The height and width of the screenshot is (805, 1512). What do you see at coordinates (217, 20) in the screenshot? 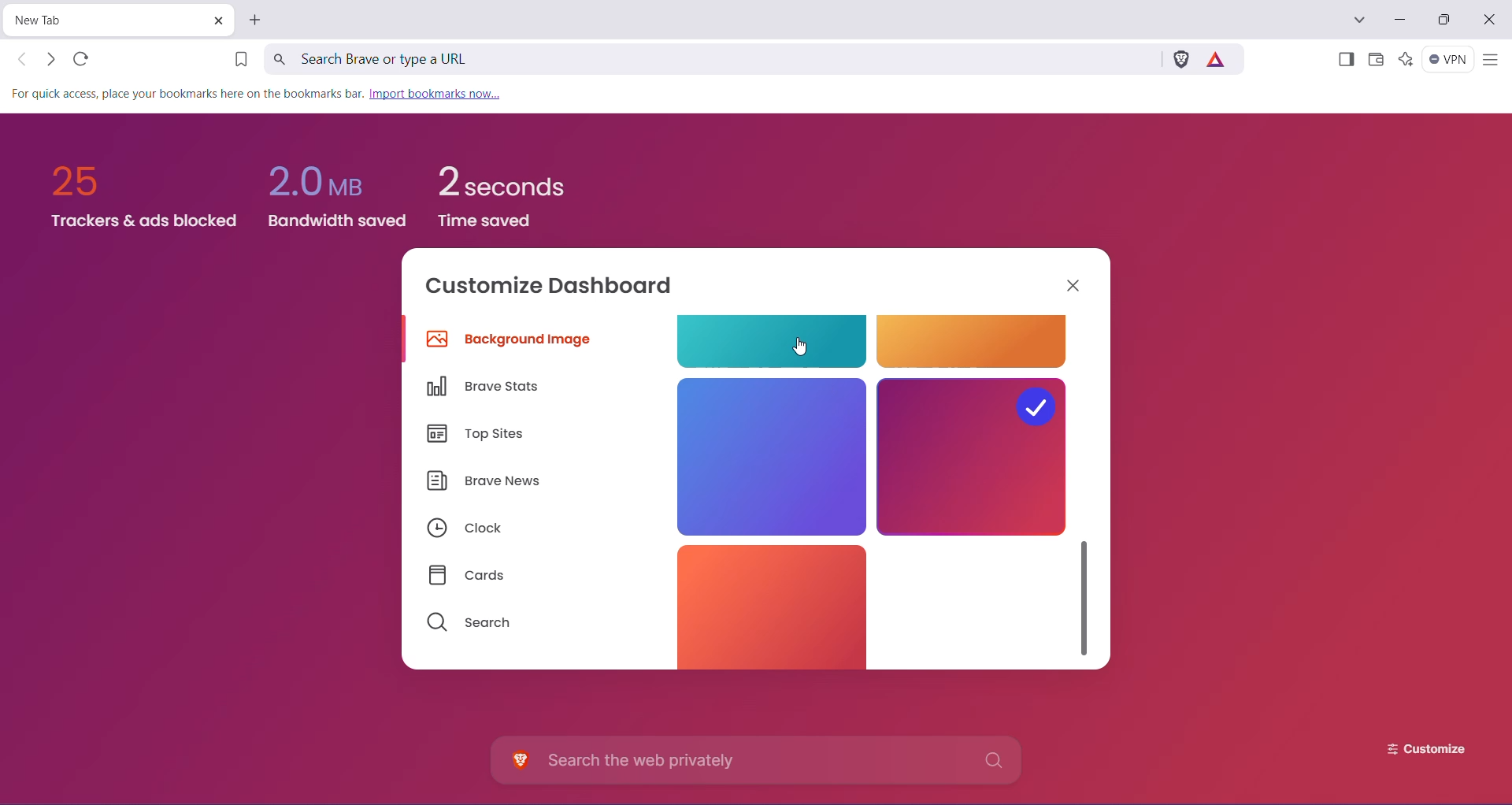
I see `Close Tab` at bounding box center [217, 20].